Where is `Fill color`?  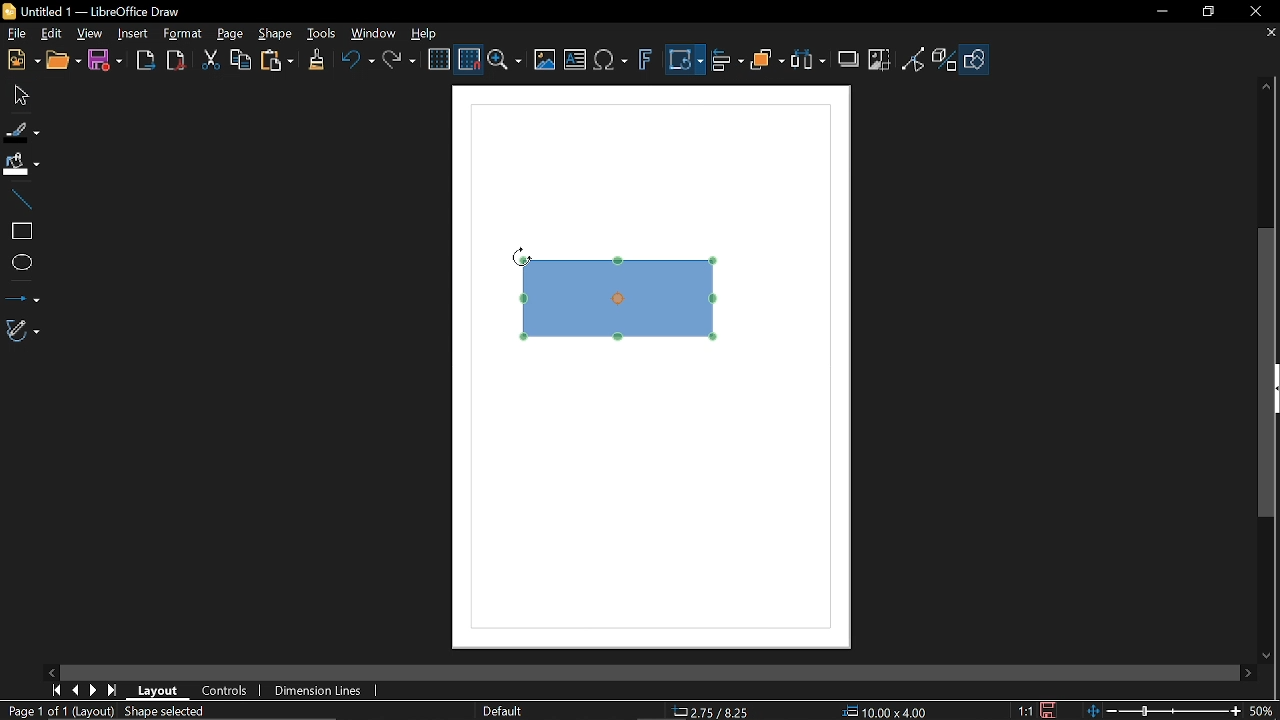
Fill color is located at coordinates (20, 165).